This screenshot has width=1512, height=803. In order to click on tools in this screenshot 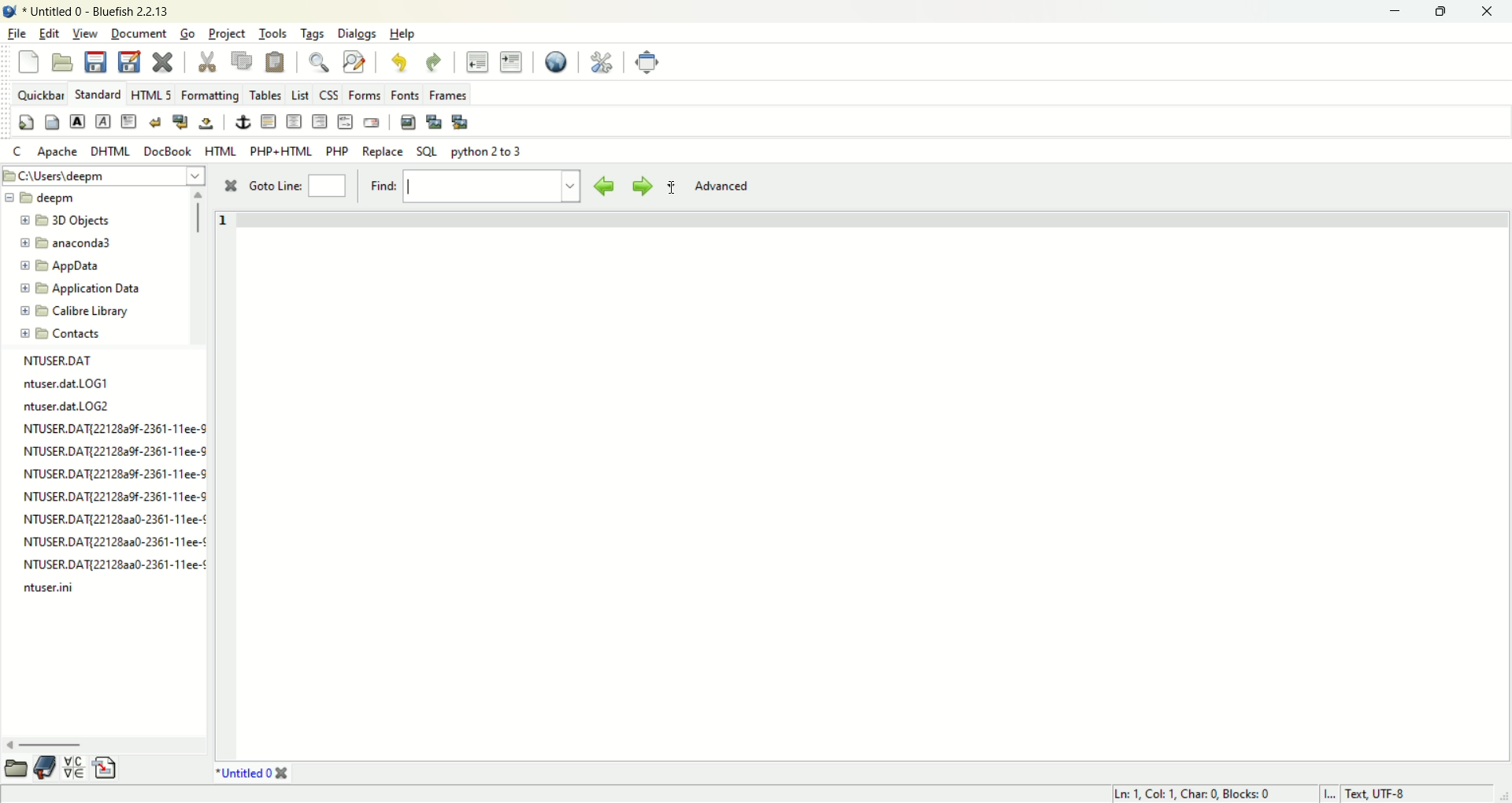, I will do `click(275, 35)`.